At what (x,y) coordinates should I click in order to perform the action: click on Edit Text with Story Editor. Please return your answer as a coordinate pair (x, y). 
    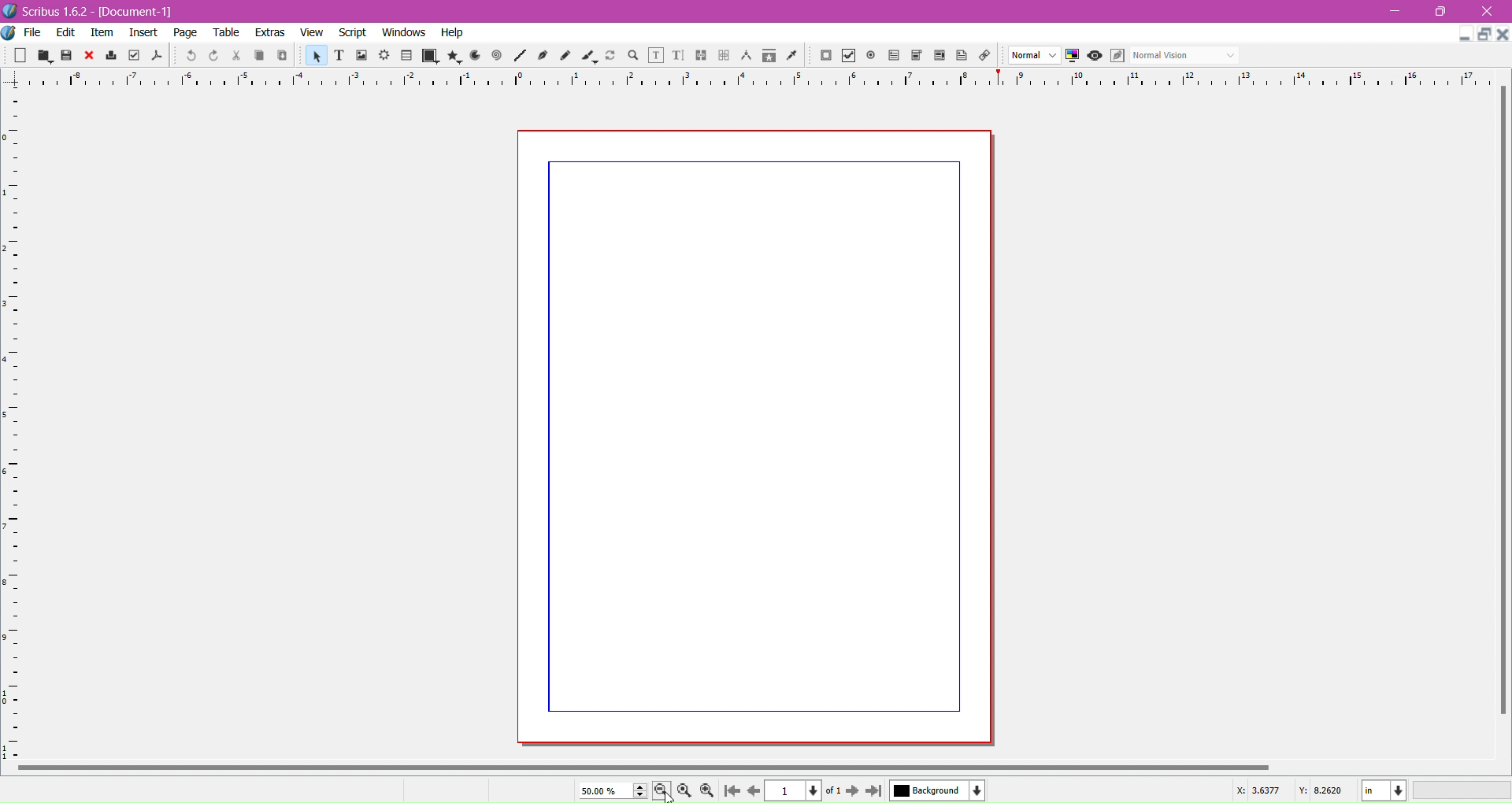
    Looking at the image, I should click on (678, 55).